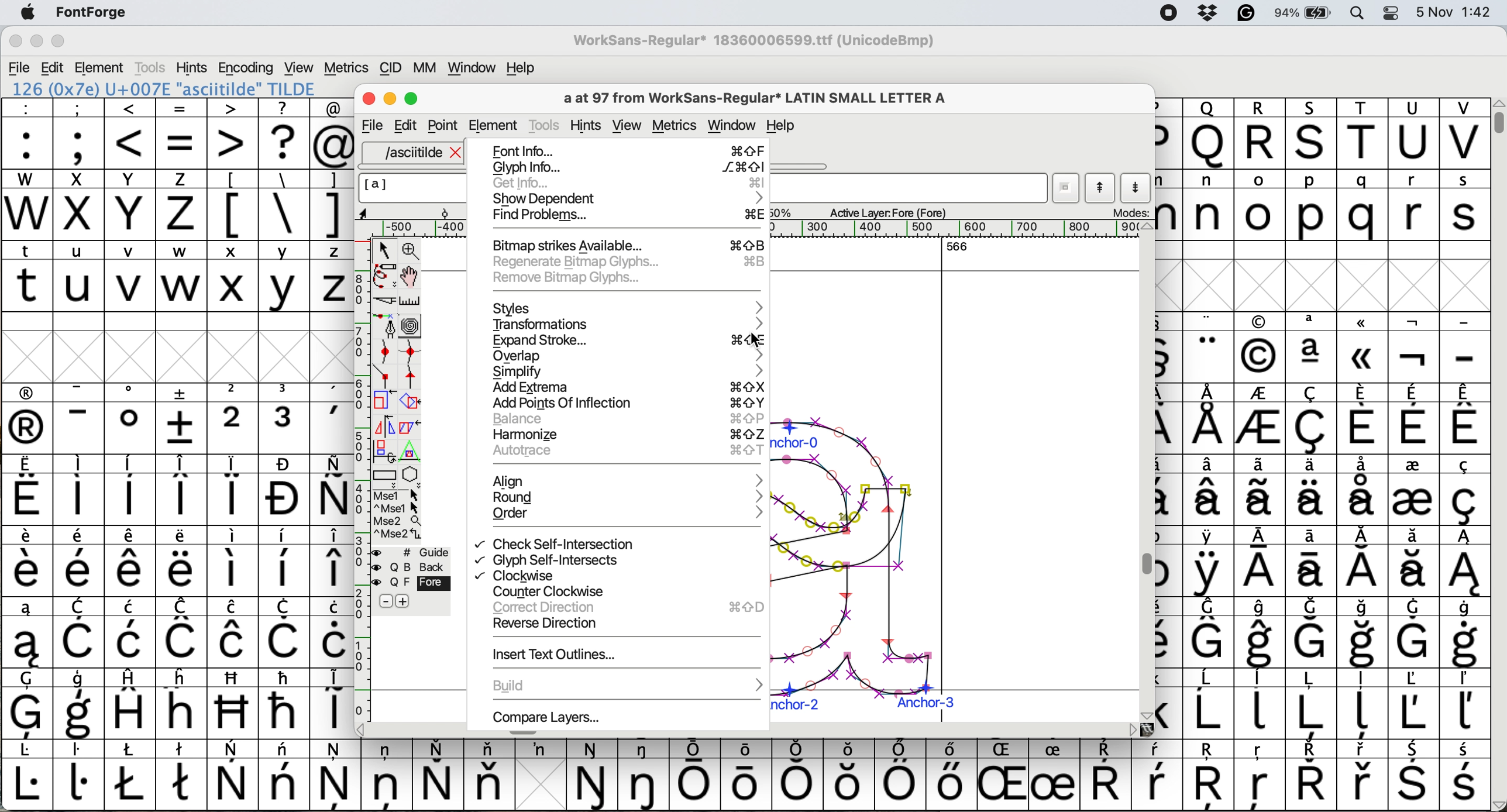  What do you see at coordinates (1261, 702) in the screenshot?
I see `symbol` at bounding box center [1261, 702].